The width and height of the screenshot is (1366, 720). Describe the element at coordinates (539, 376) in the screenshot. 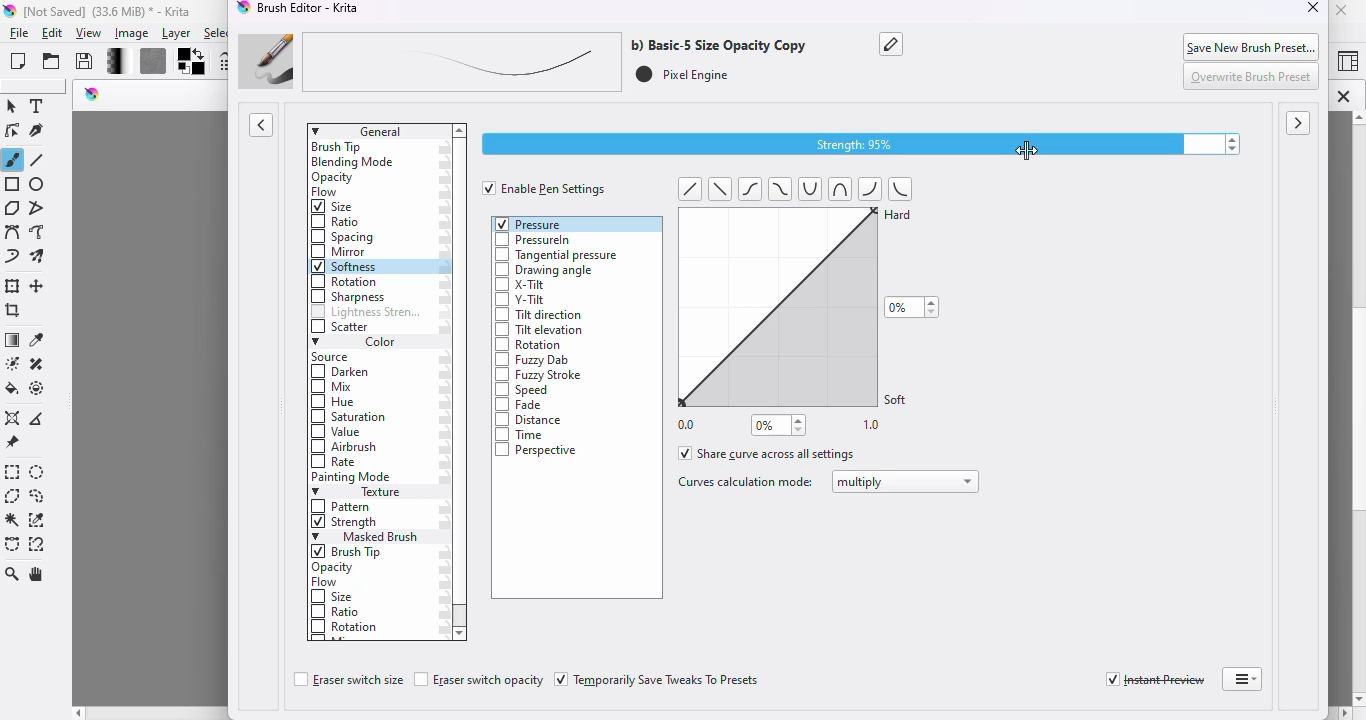

I see `fuzzy stroke` at that location.